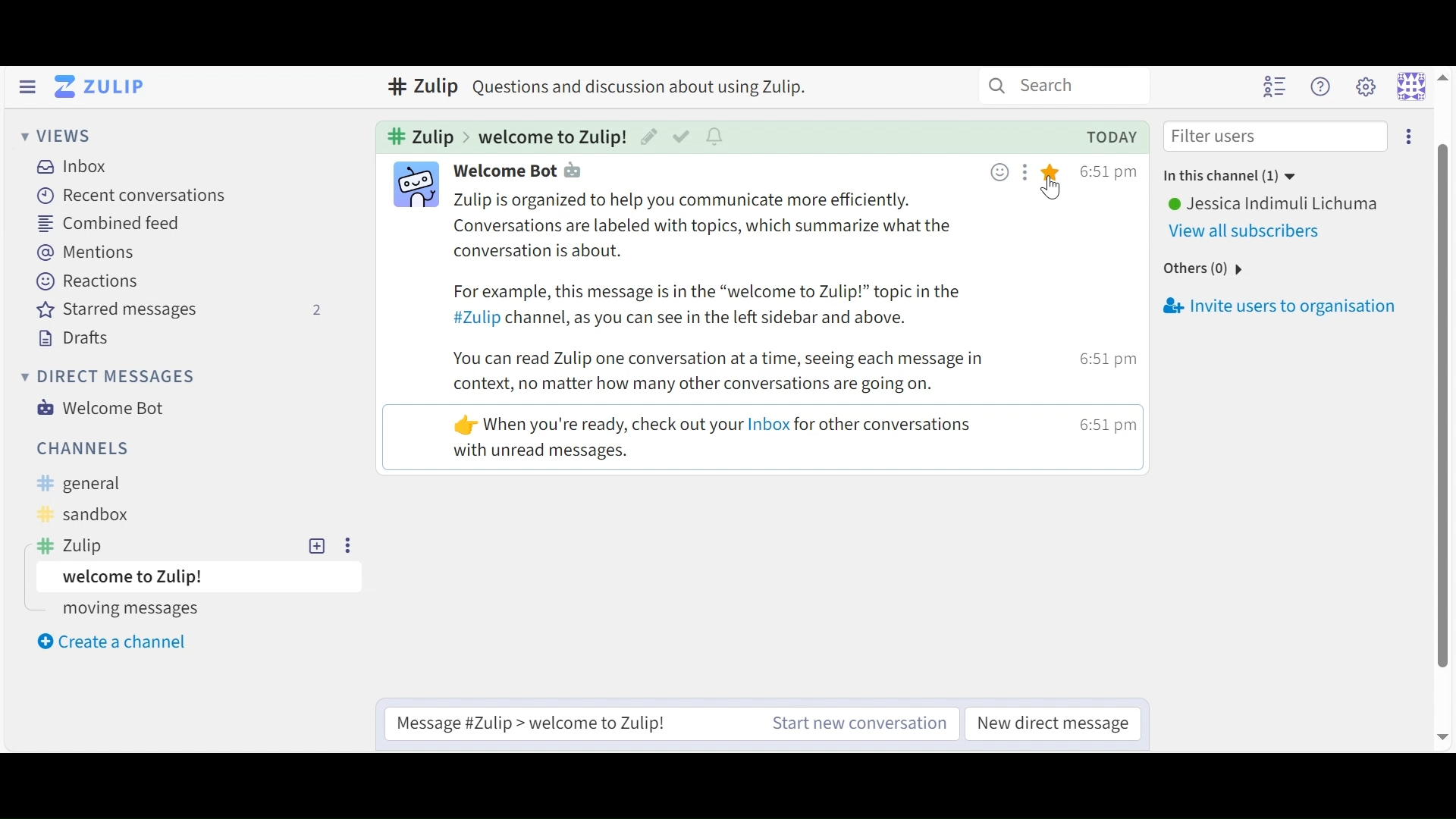  Describe the element at coordinates (1447, 401) in the screenshot. I see `scroll bar` at that location.